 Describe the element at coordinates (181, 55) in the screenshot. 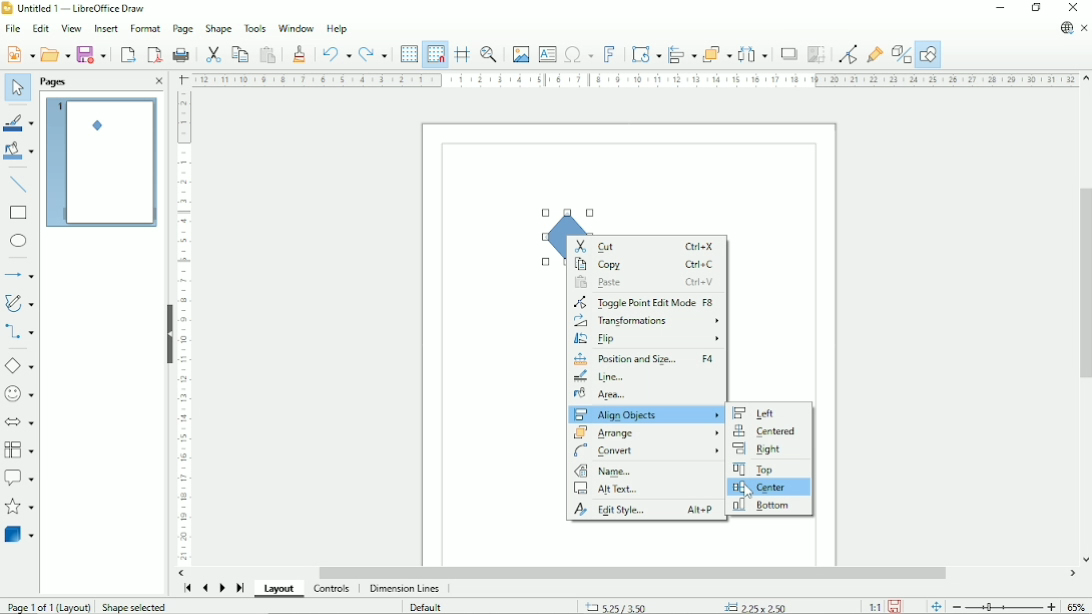

I see `Print` at that location.